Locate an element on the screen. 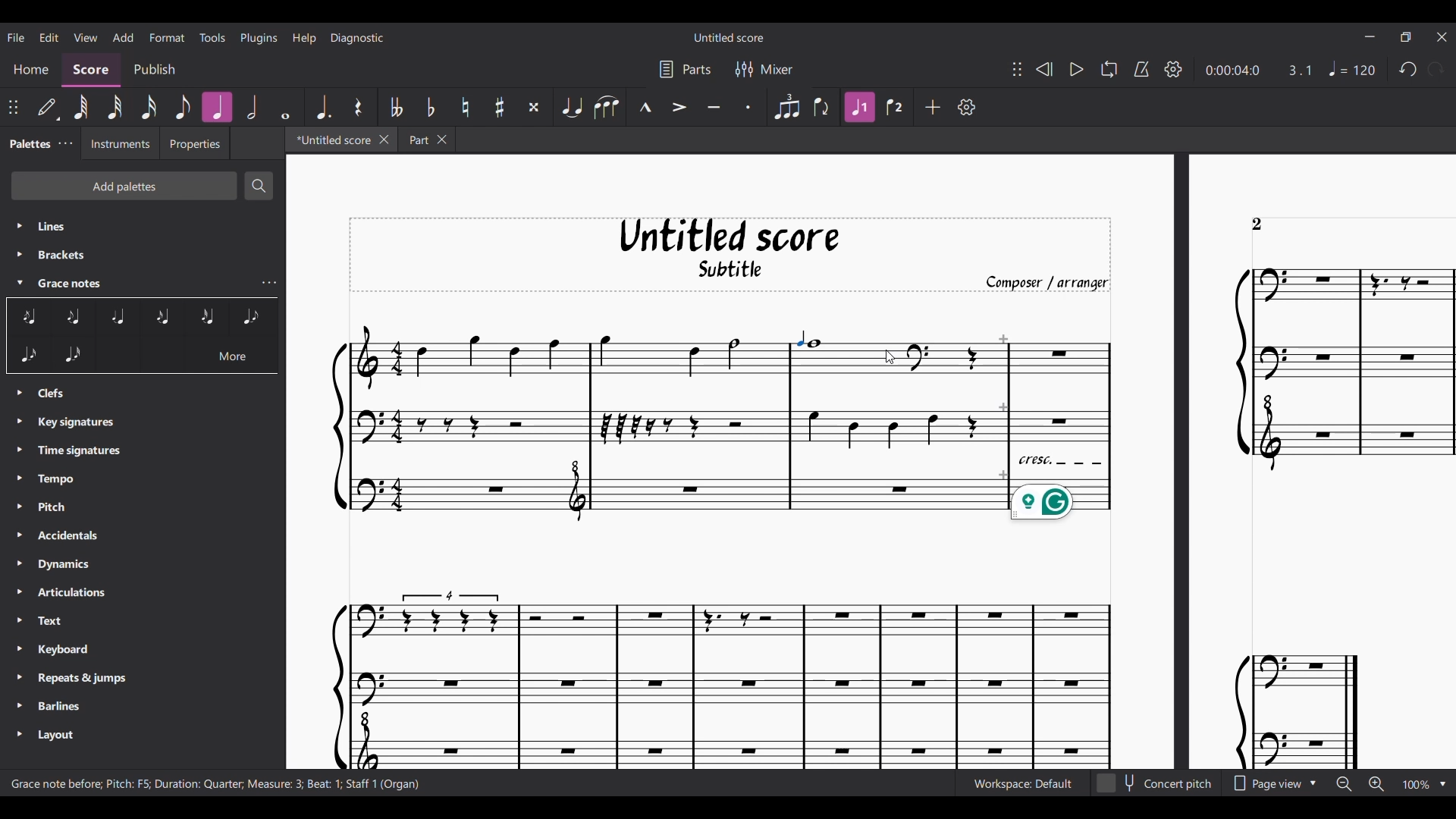 This screenshot has width=1456, height=819. Tools menu is located at coordinates (213, 37).